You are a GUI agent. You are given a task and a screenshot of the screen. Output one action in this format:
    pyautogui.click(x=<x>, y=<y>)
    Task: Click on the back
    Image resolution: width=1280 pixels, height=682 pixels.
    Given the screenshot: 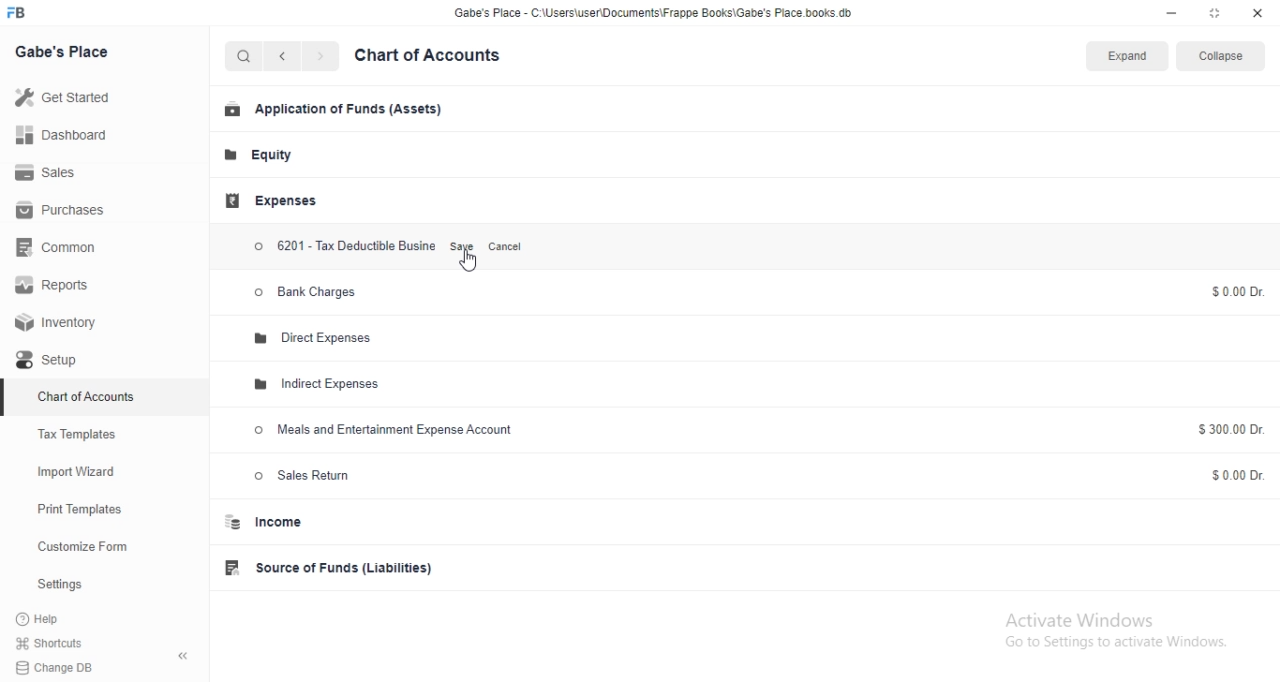 What is the action you would take?
    pyautogui.click(x=287, y=59)
    